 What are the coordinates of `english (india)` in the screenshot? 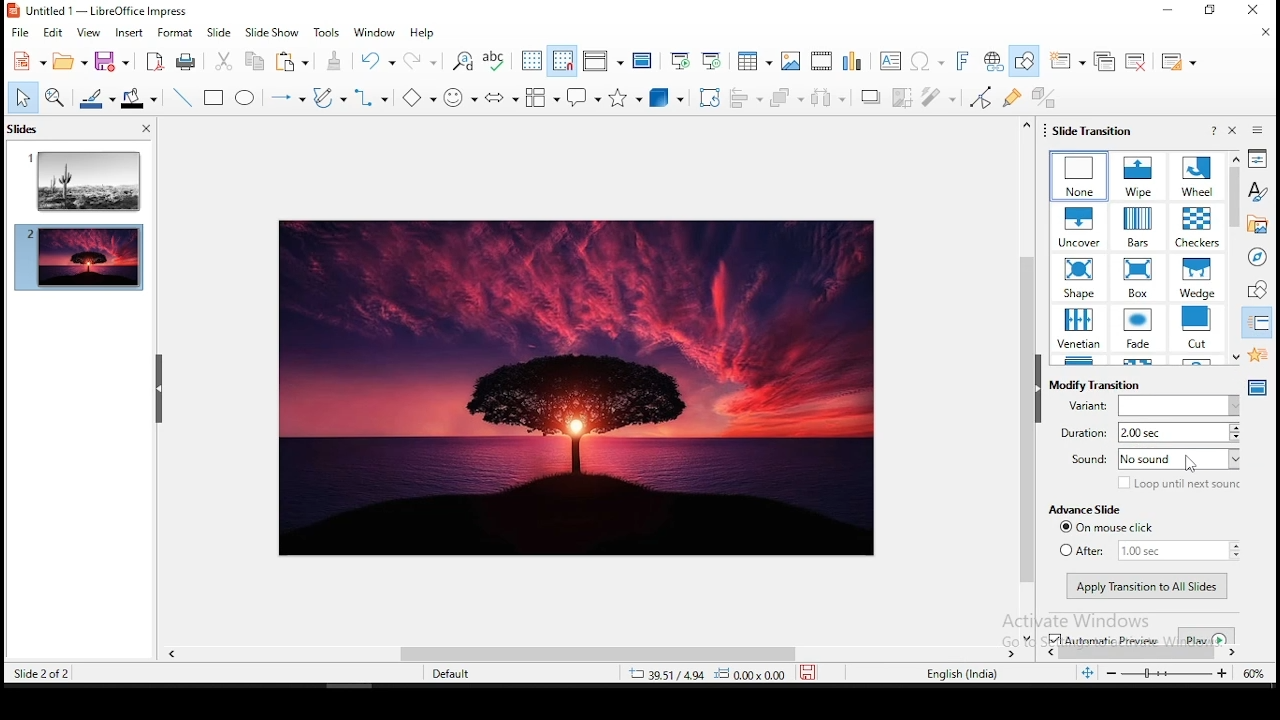 It's located at (961, 674).